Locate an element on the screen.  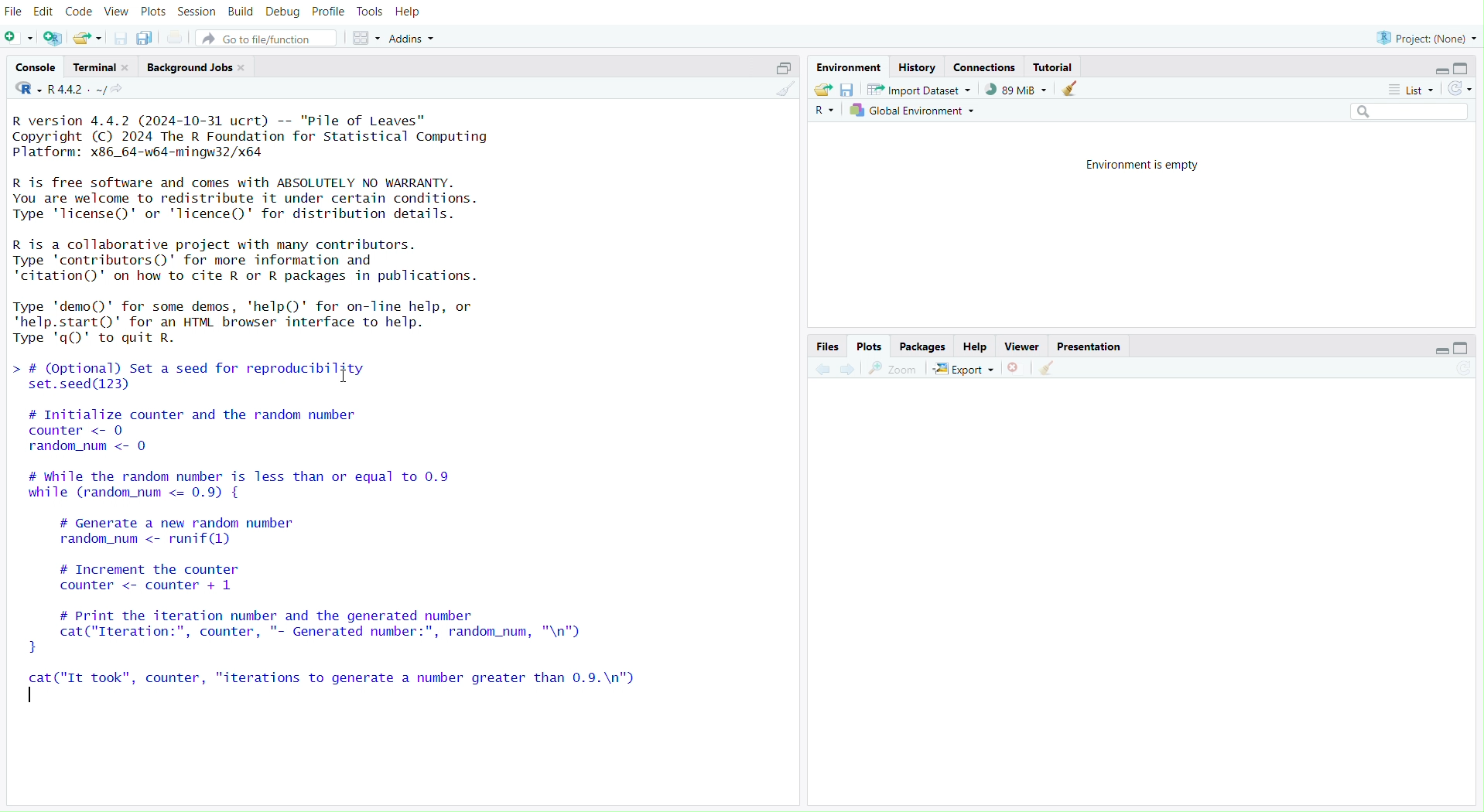
Create a project is located at coordinates (52, 36).